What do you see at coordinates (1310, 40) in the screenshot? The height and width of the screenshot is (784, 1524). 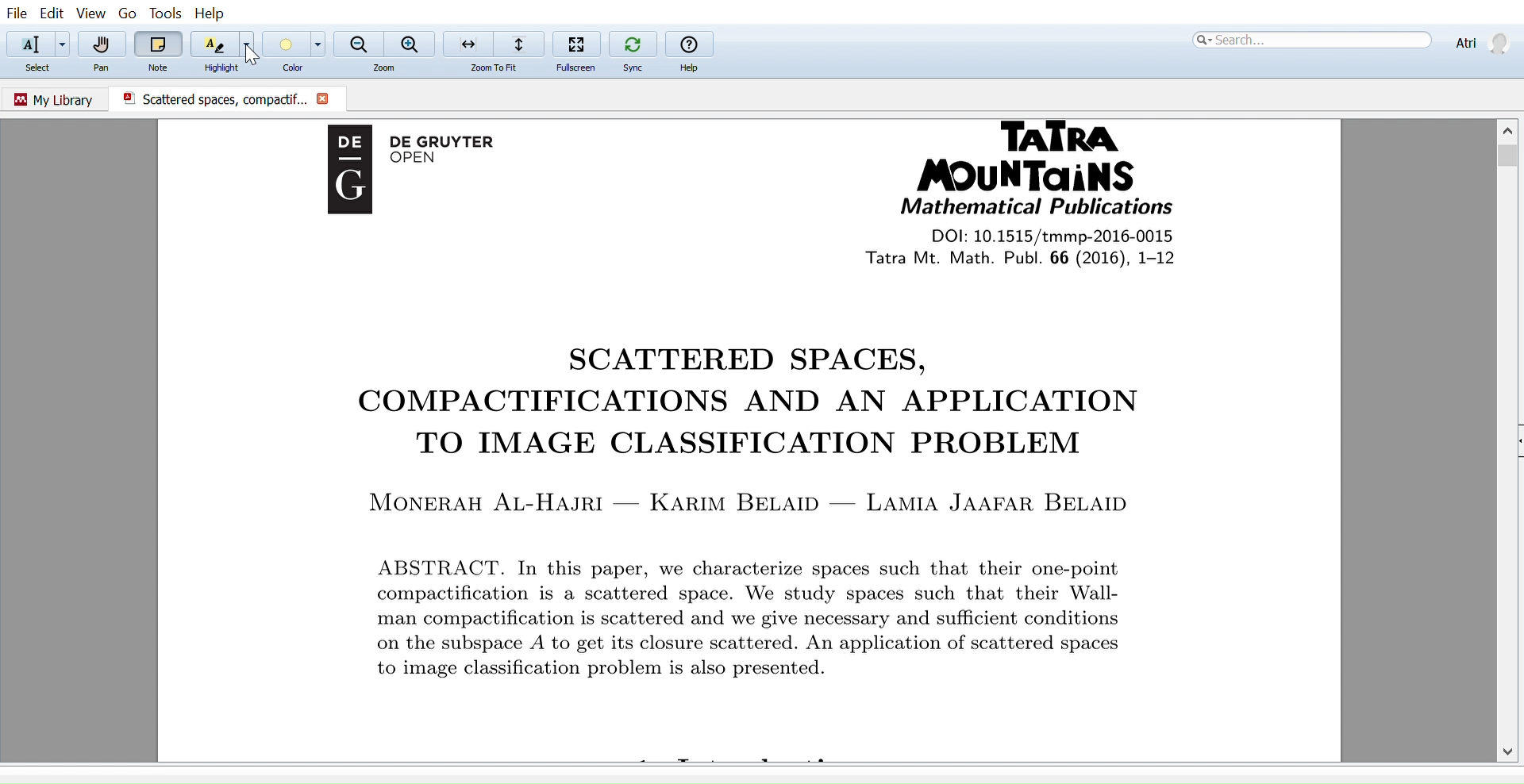 I see `Search` at bounding box center [1310, 40].